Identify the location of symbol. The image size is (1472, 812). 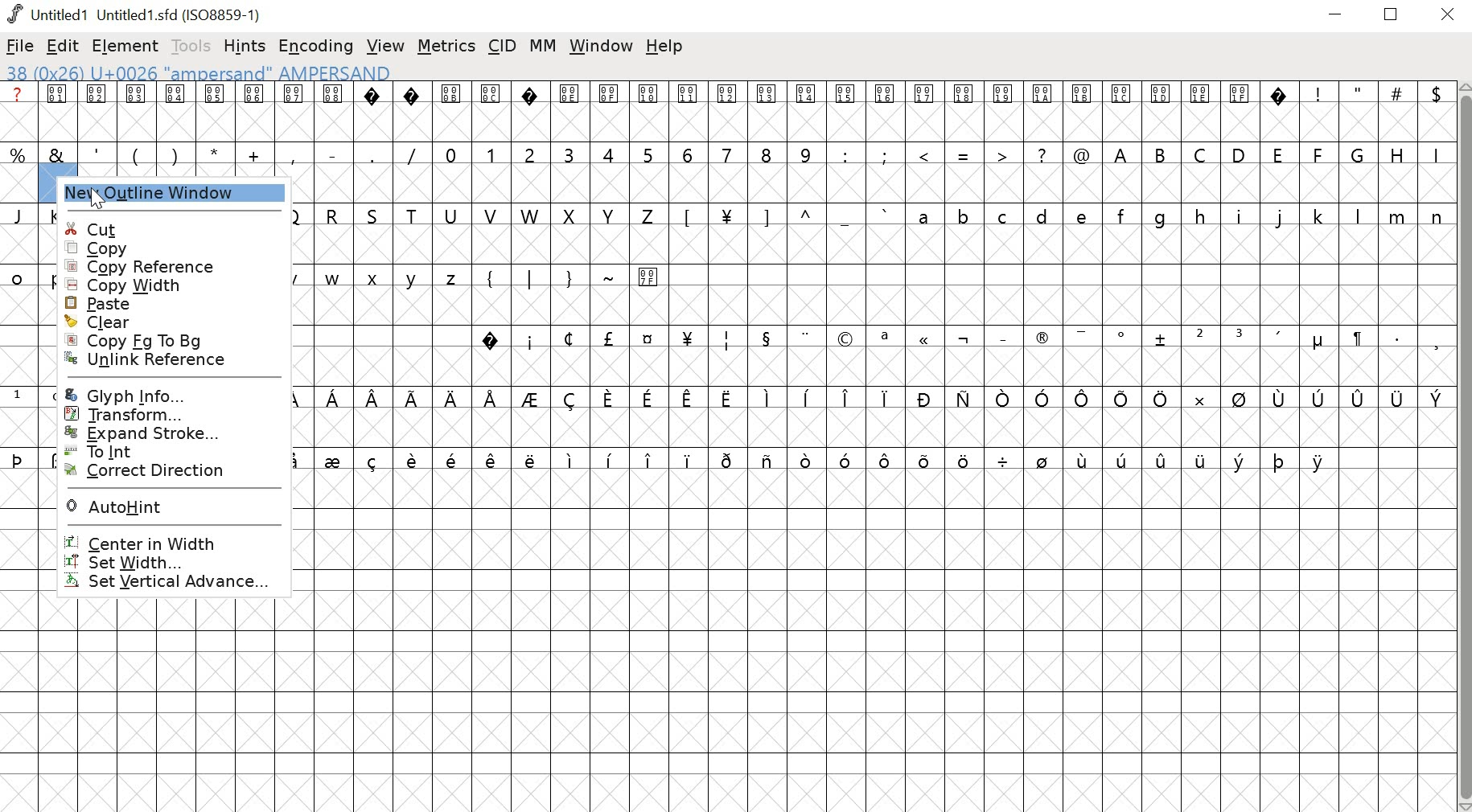
(1281, 399).